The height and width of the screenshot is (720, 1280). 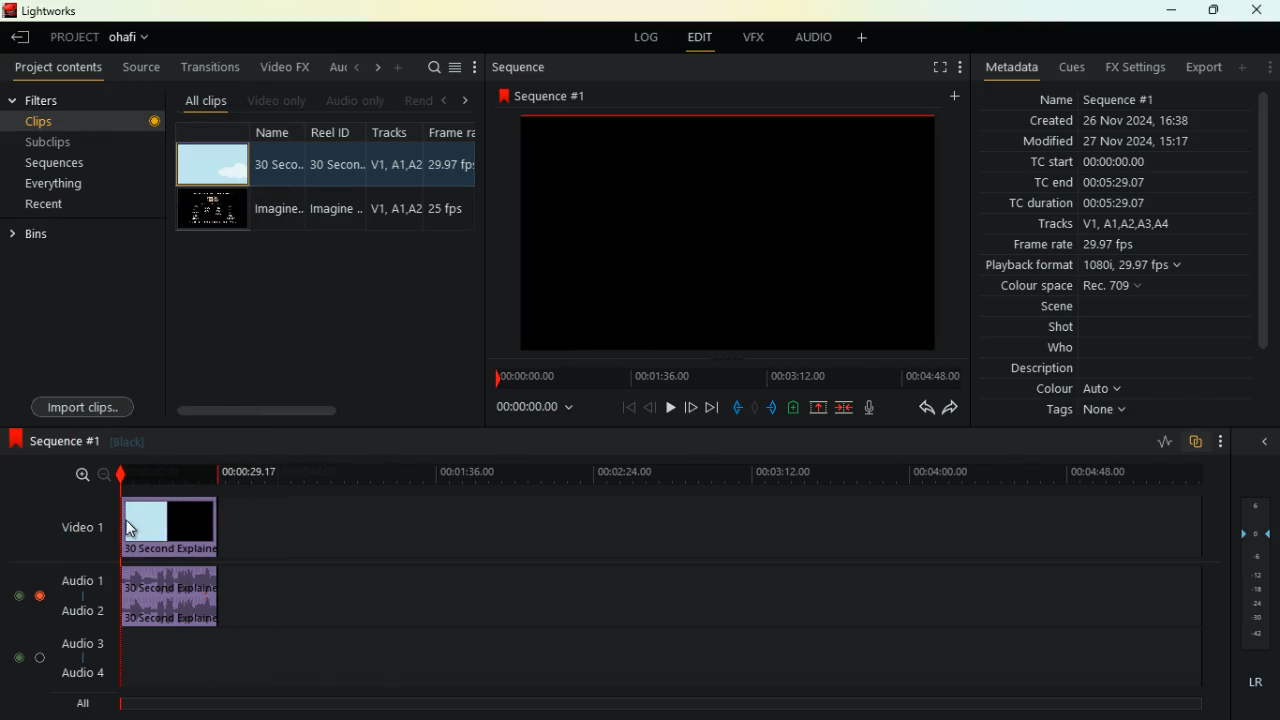 I want to click on video, so click(x=210, y=211).